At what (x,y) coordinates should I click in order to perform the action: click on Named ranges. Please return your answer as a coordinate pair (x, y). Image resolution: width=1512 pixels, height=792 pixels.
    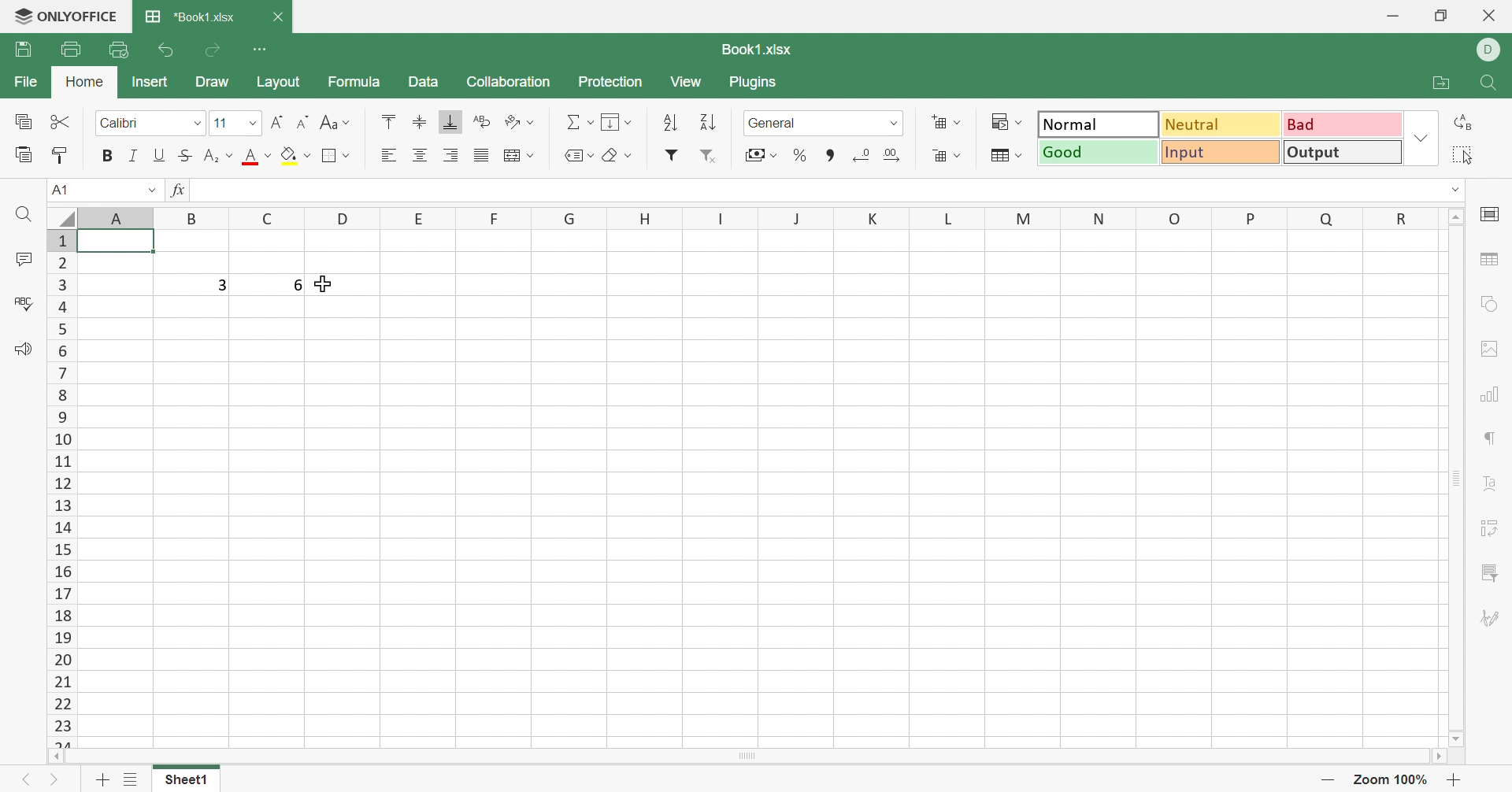
    Looking at the image, I should click on (577, 154).